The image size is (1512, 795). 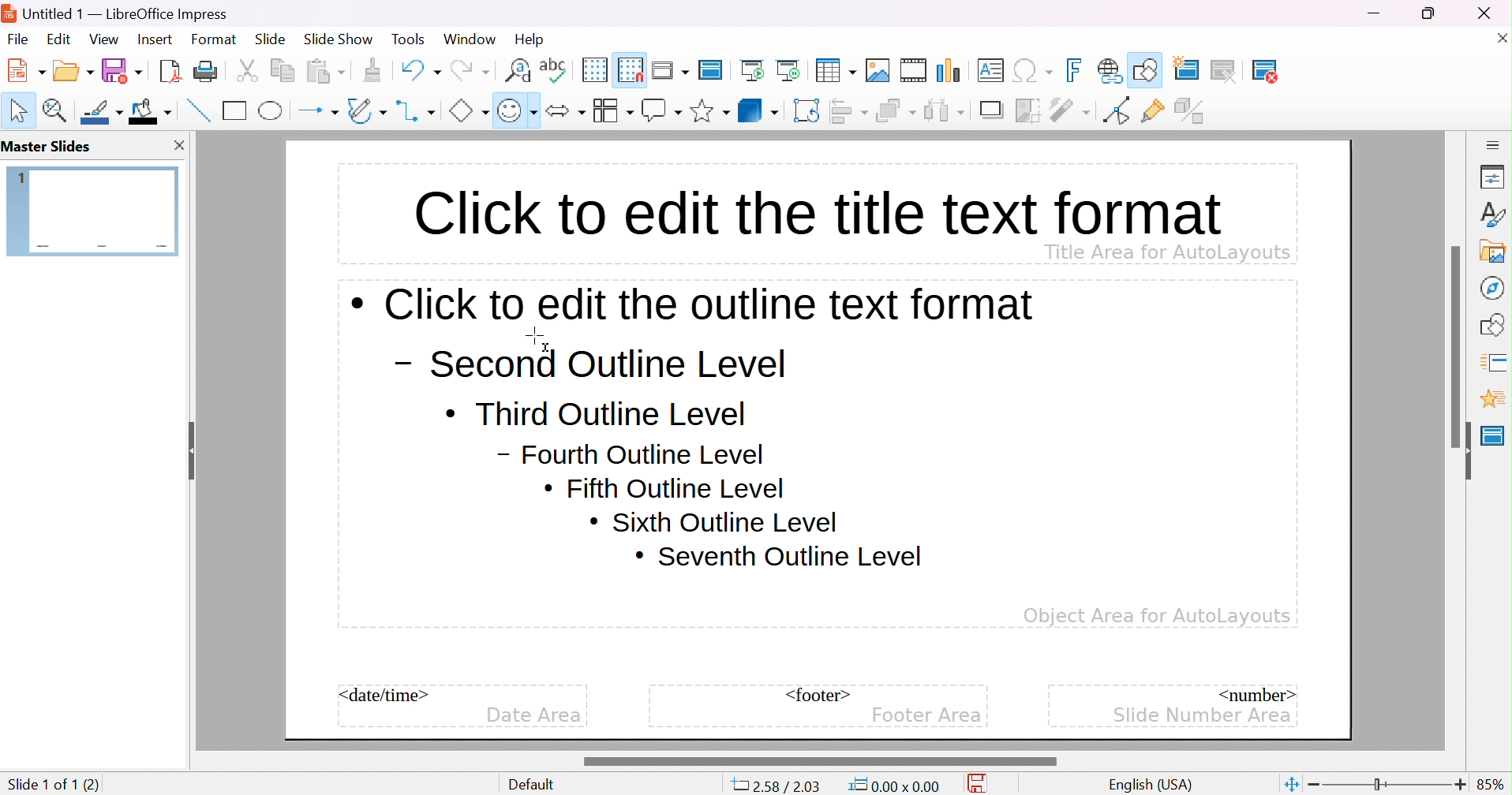 I want to click on open, so click(x=75, y=69).